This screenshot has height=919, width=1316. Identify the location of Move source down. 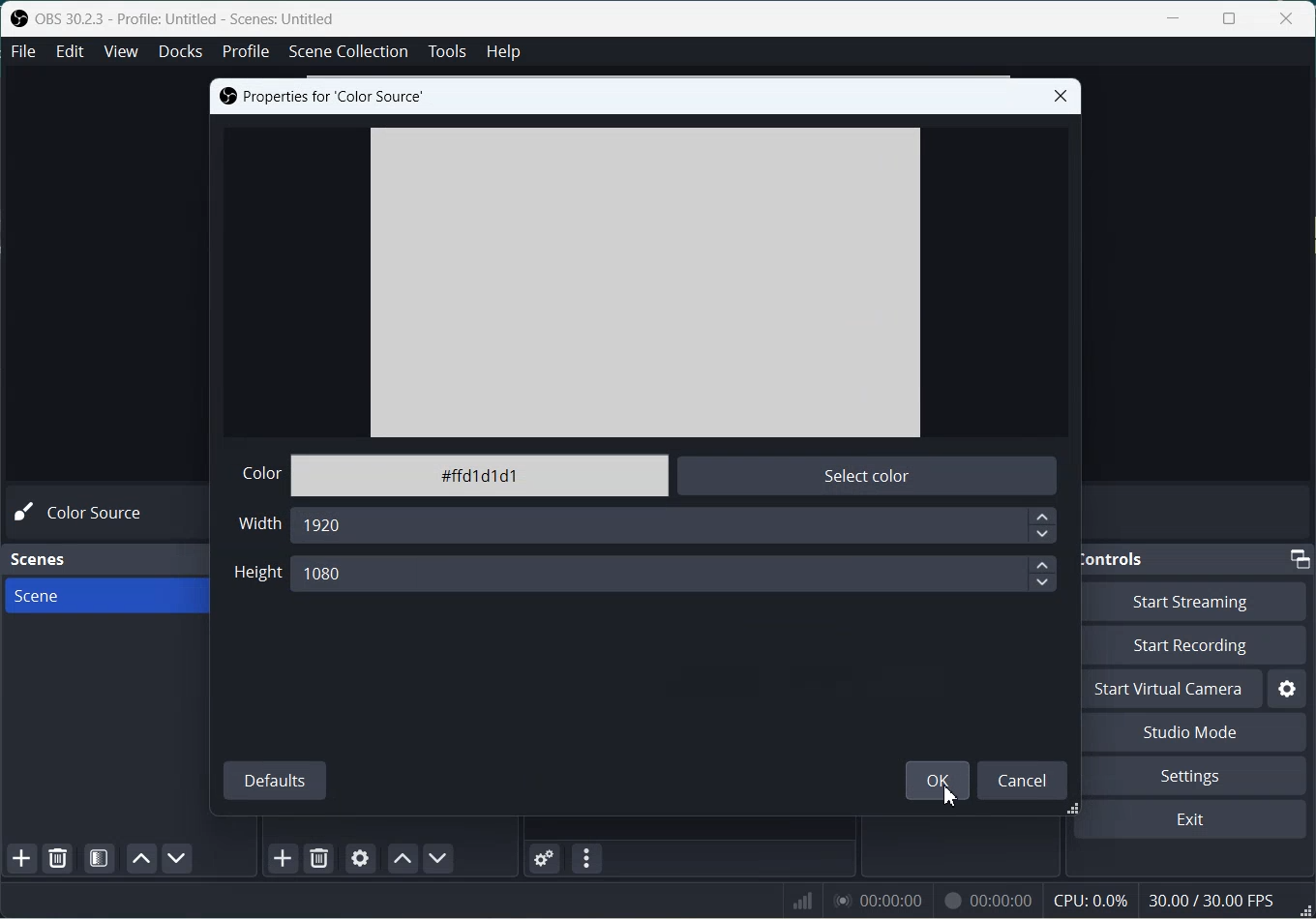
(438, 858).